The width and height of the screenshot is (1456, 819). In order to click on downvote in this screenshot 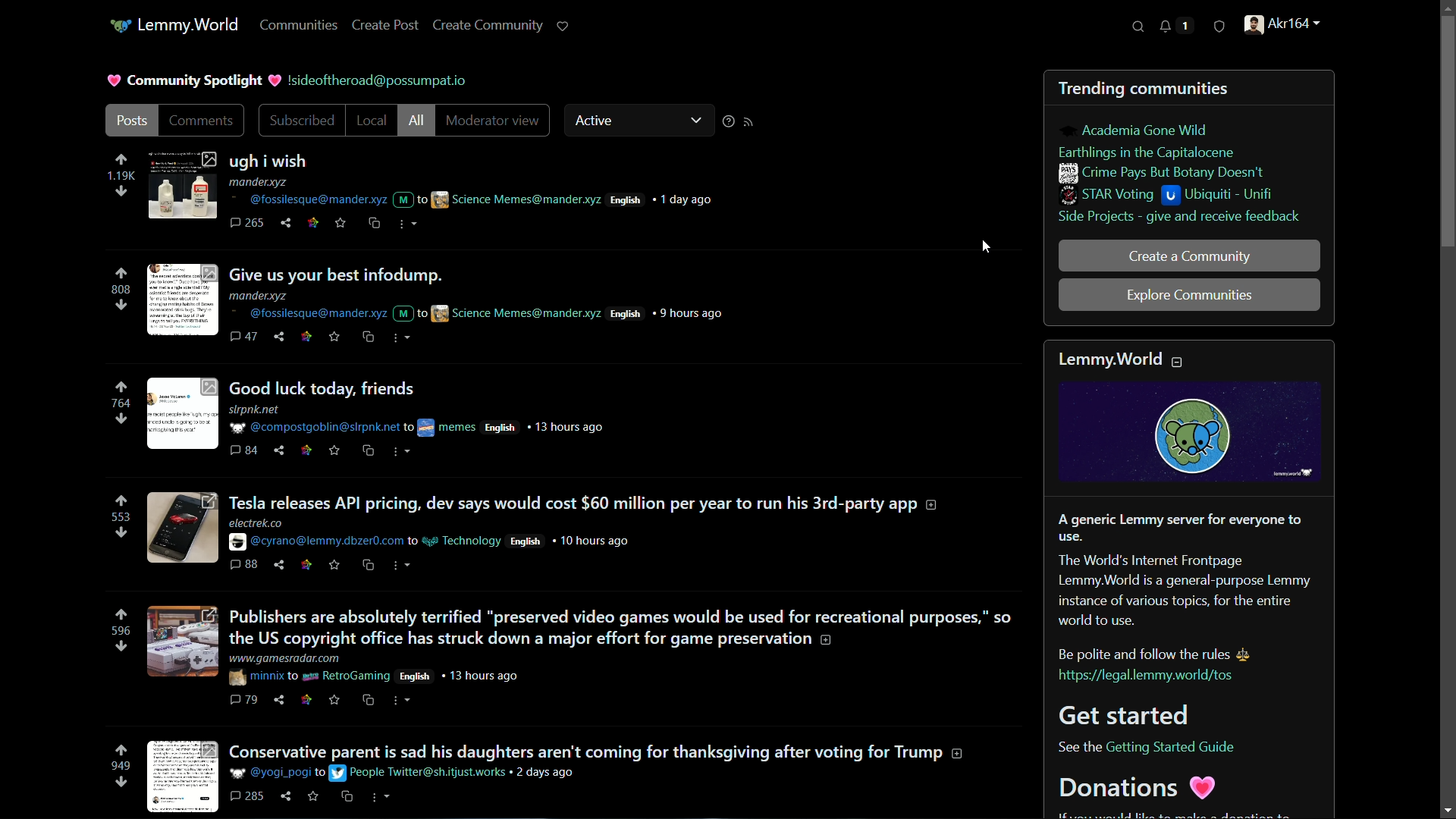, I will do `click(121, 192)`.